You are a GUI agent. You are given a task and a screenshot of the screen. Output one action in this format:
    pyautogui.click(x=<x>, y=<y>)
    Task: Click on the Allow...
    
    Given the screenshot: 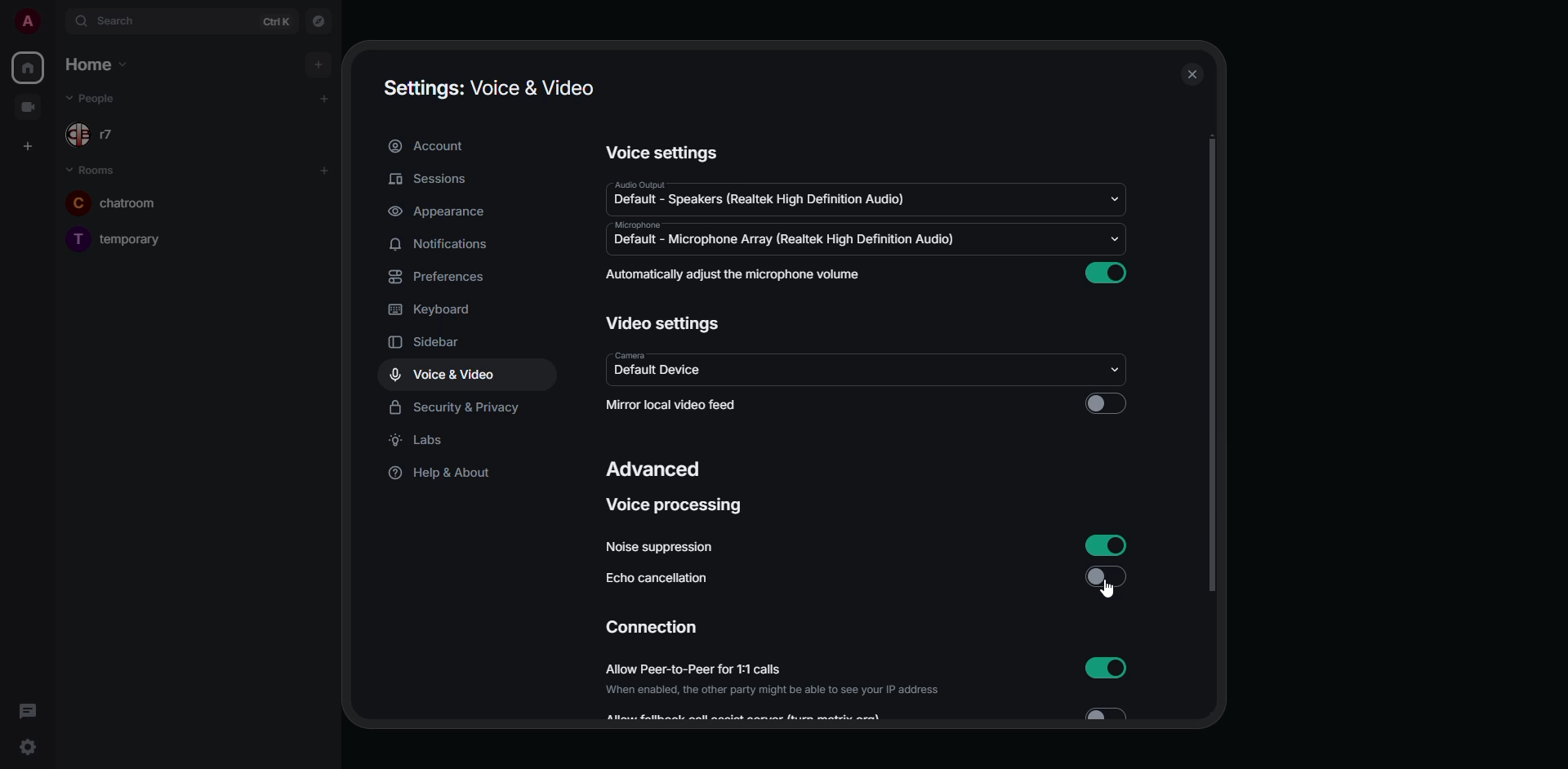 What is the action you would take?
    pyautogui.click(x=747, y=717)
    